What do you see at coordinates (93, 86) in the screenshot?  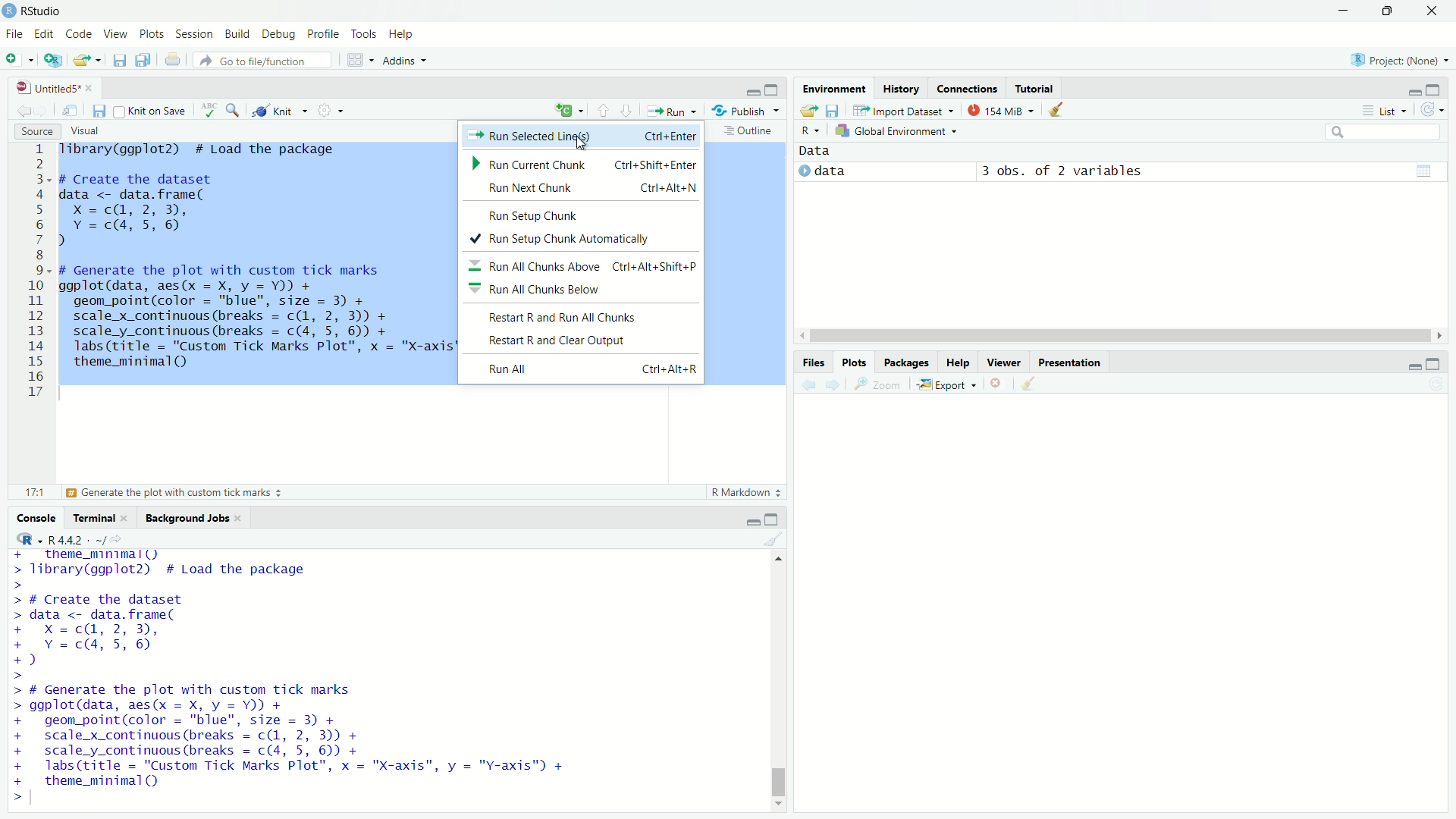 I see `close` at bounding box center [93, 86].